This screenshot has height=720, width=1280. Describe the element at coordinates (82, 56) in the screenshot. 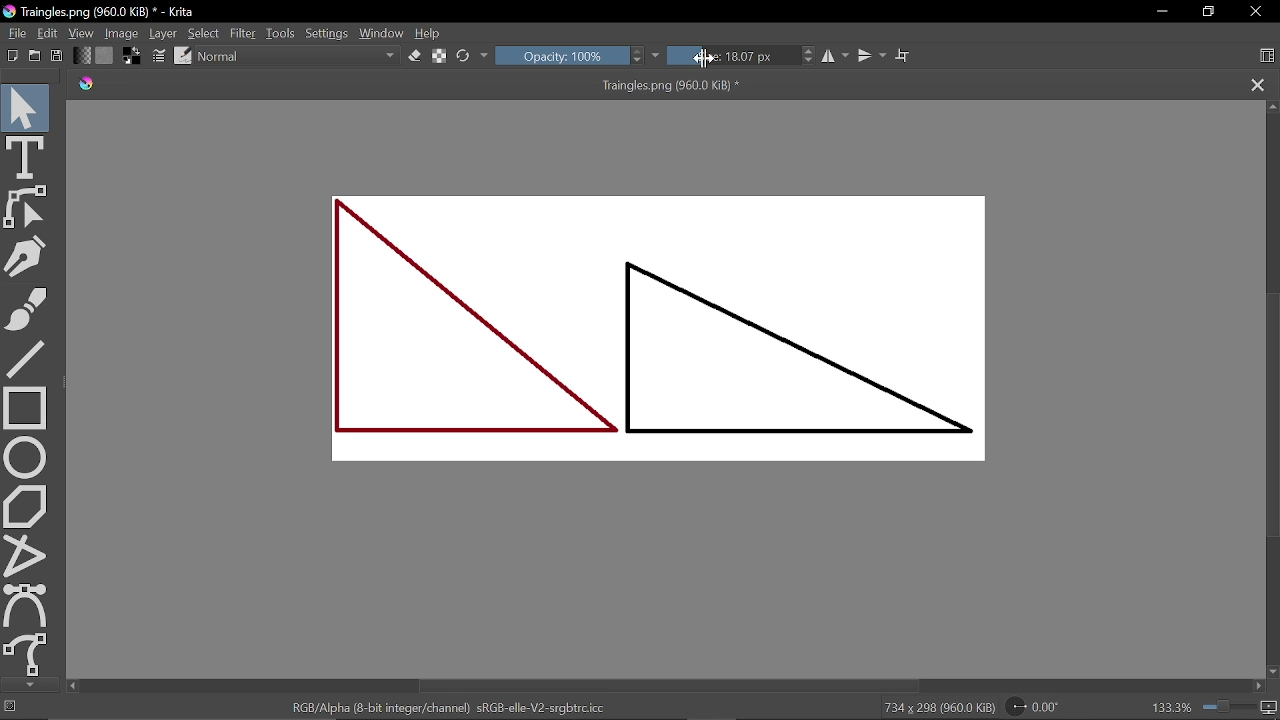

I see `Fill gradient` at that location.